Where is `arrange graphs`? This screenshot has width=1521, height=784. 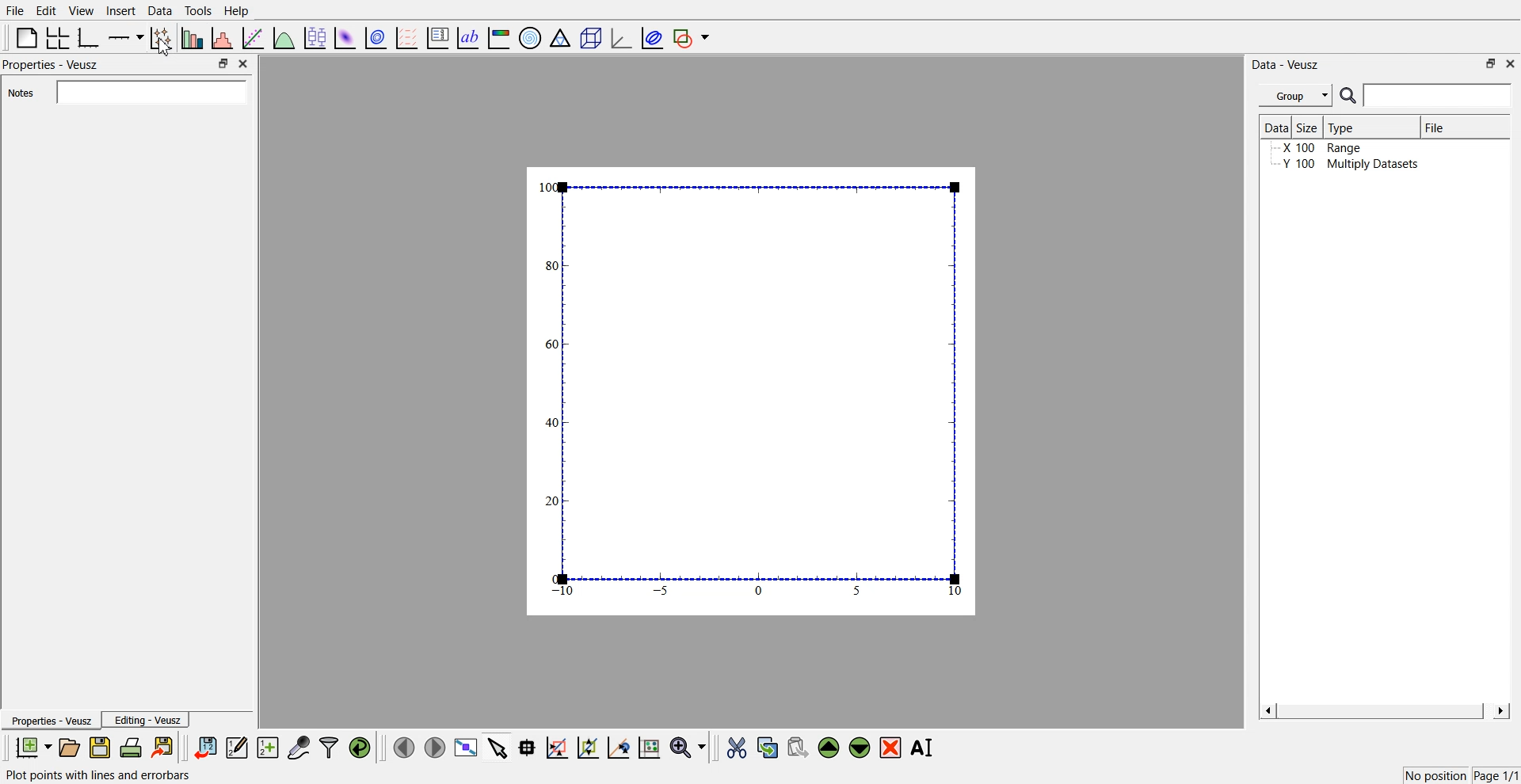
arrange graphs is located at coordinates (55, 37).